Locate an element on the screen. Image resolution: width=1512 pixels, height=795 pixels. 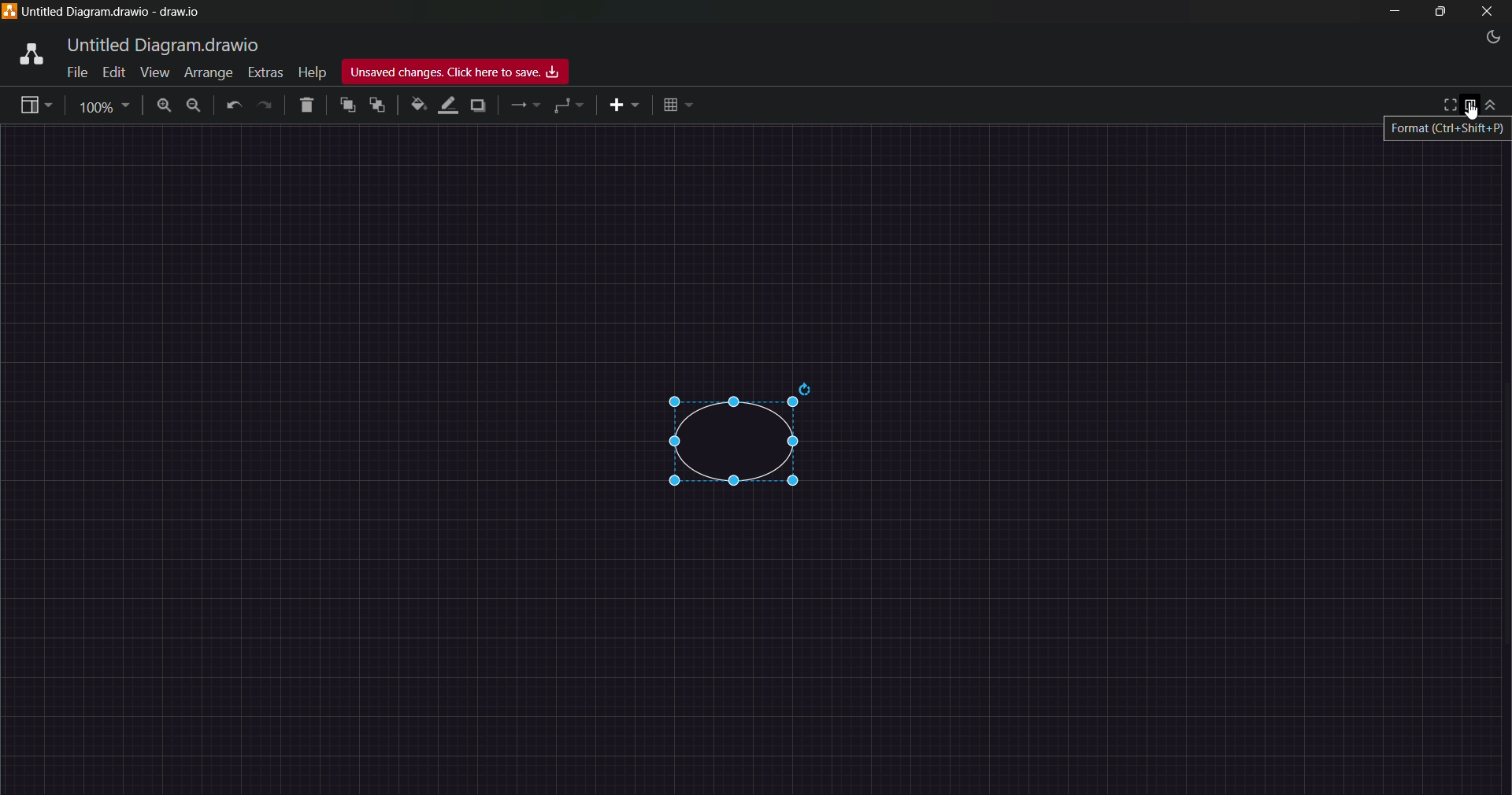
shadow is located at coordinates (481, 105).